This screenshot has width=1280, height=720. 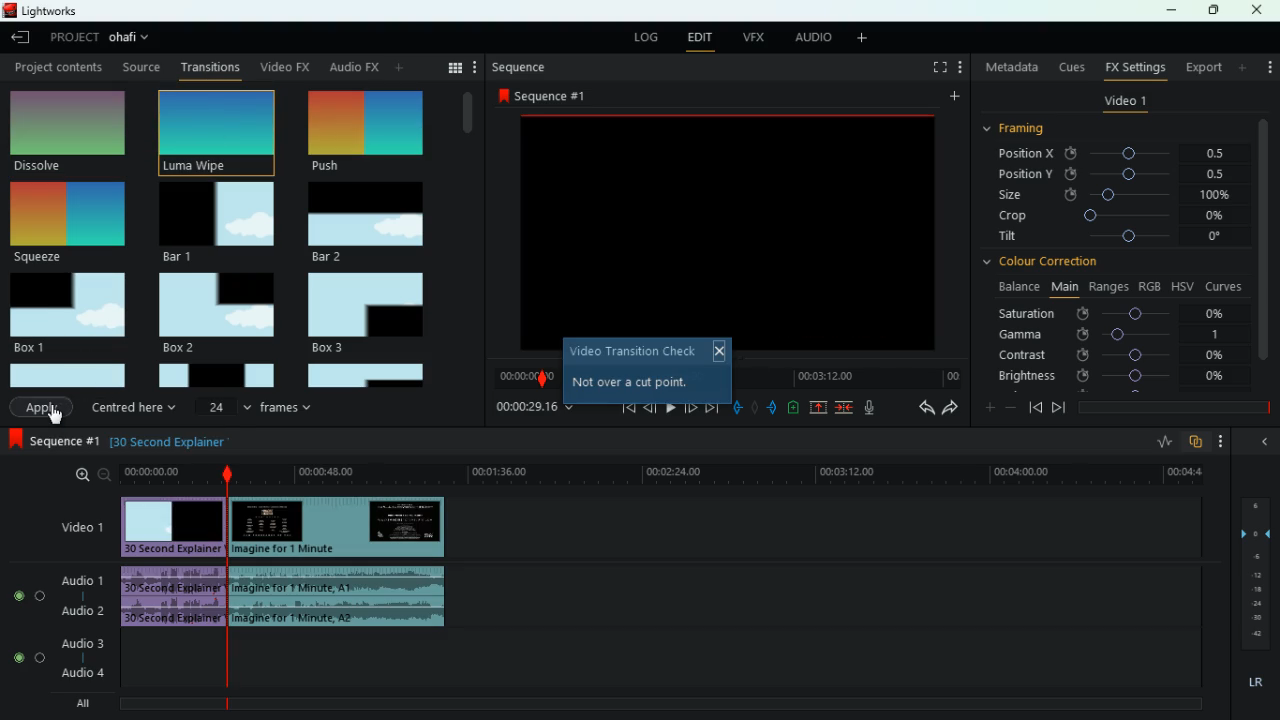 What do you see at coordinates (987, 409) in the screenshot?
I see `plus` at bounding box center [987, 409].